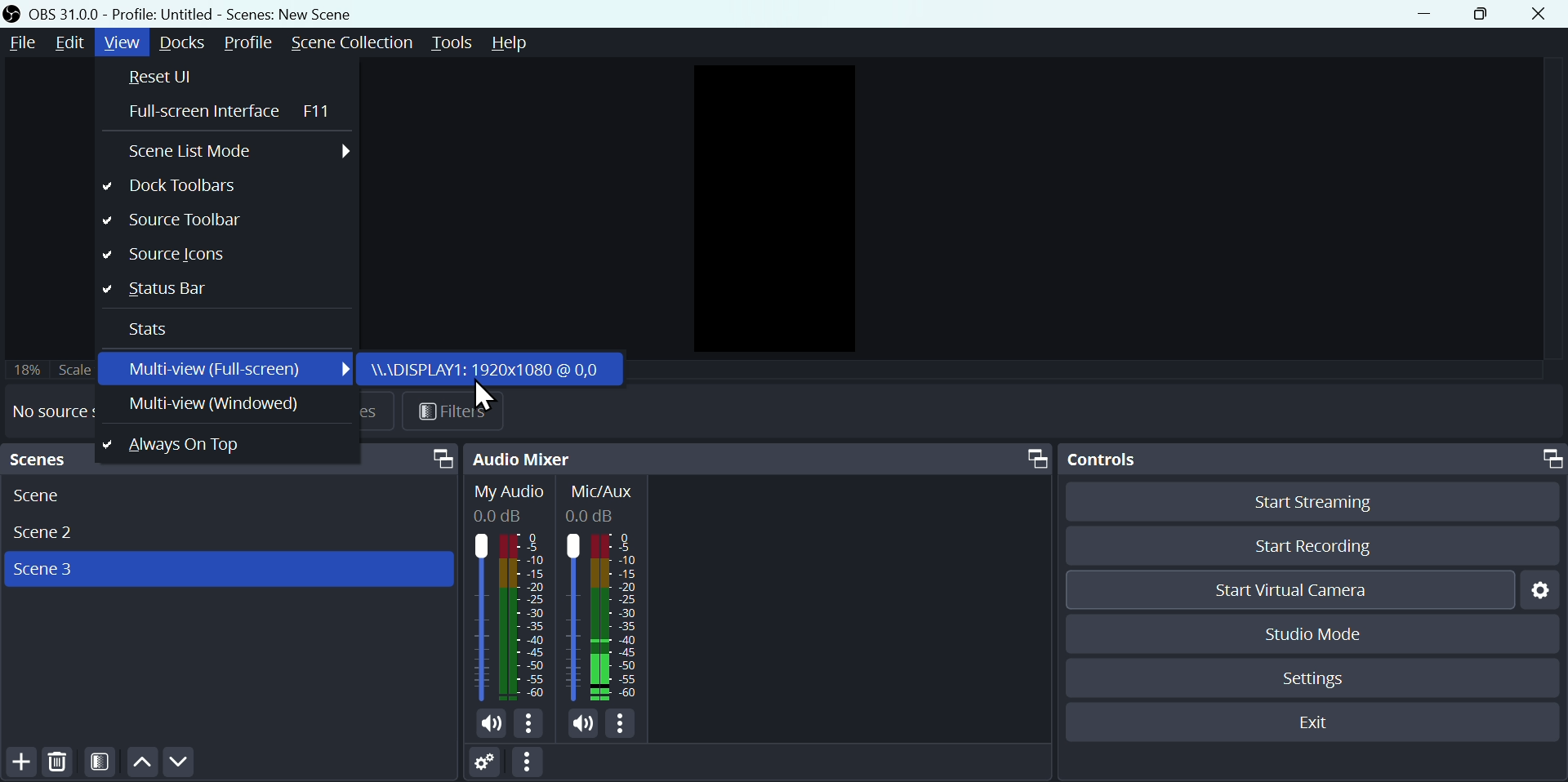  I want to click on Full screen interface, so click(223, 109).